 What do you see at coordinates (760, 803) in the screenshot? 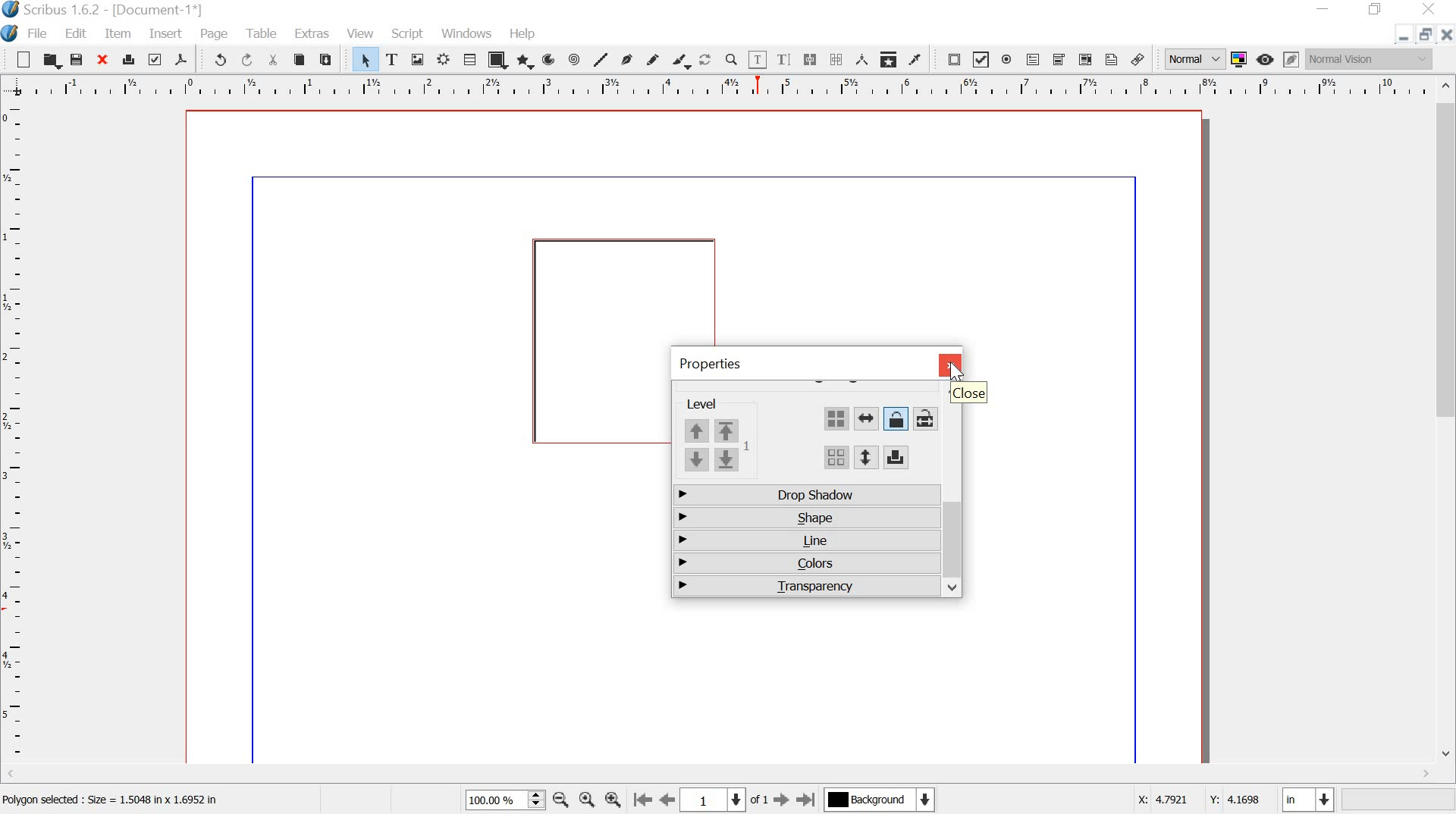
I see `of 1` at bounding box center [760, 803].